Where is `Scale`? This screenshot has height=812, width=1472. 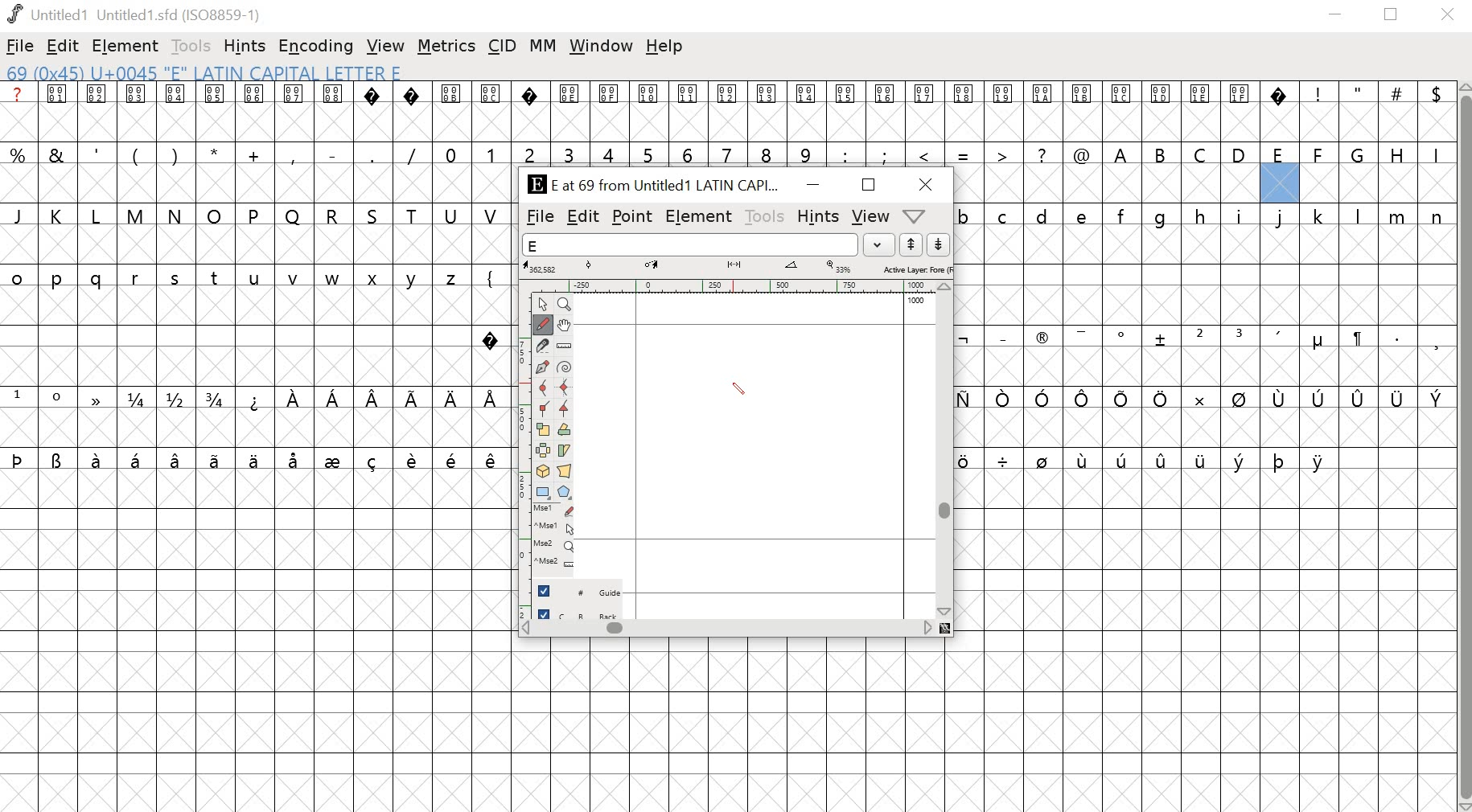 Scale is located at coordinates (544, 430).